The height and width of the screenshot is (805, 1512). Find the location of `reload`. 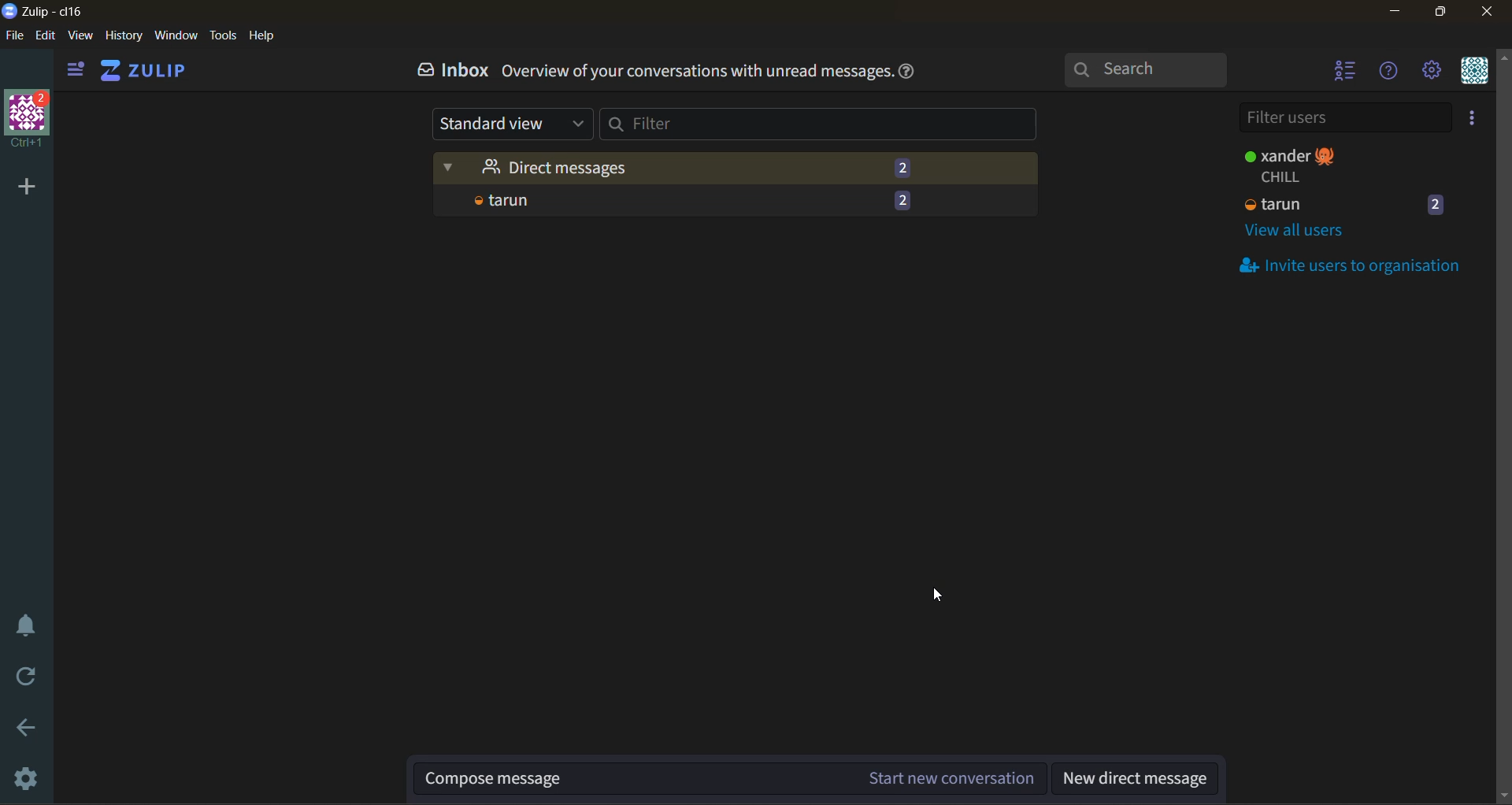

reload is located at coordinates (25, 677).